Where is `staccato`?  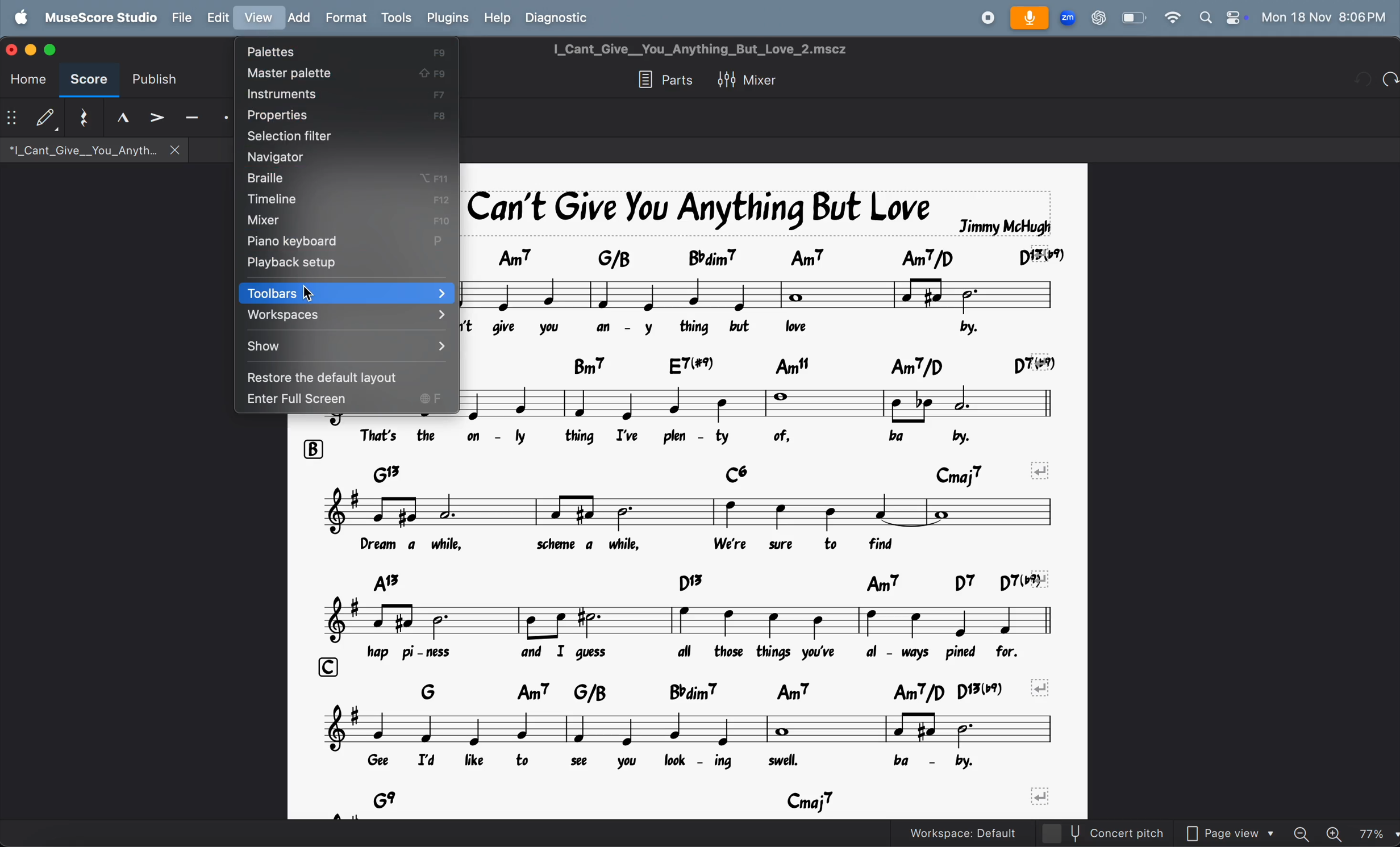
staccato is located at coordinates (223, 118).